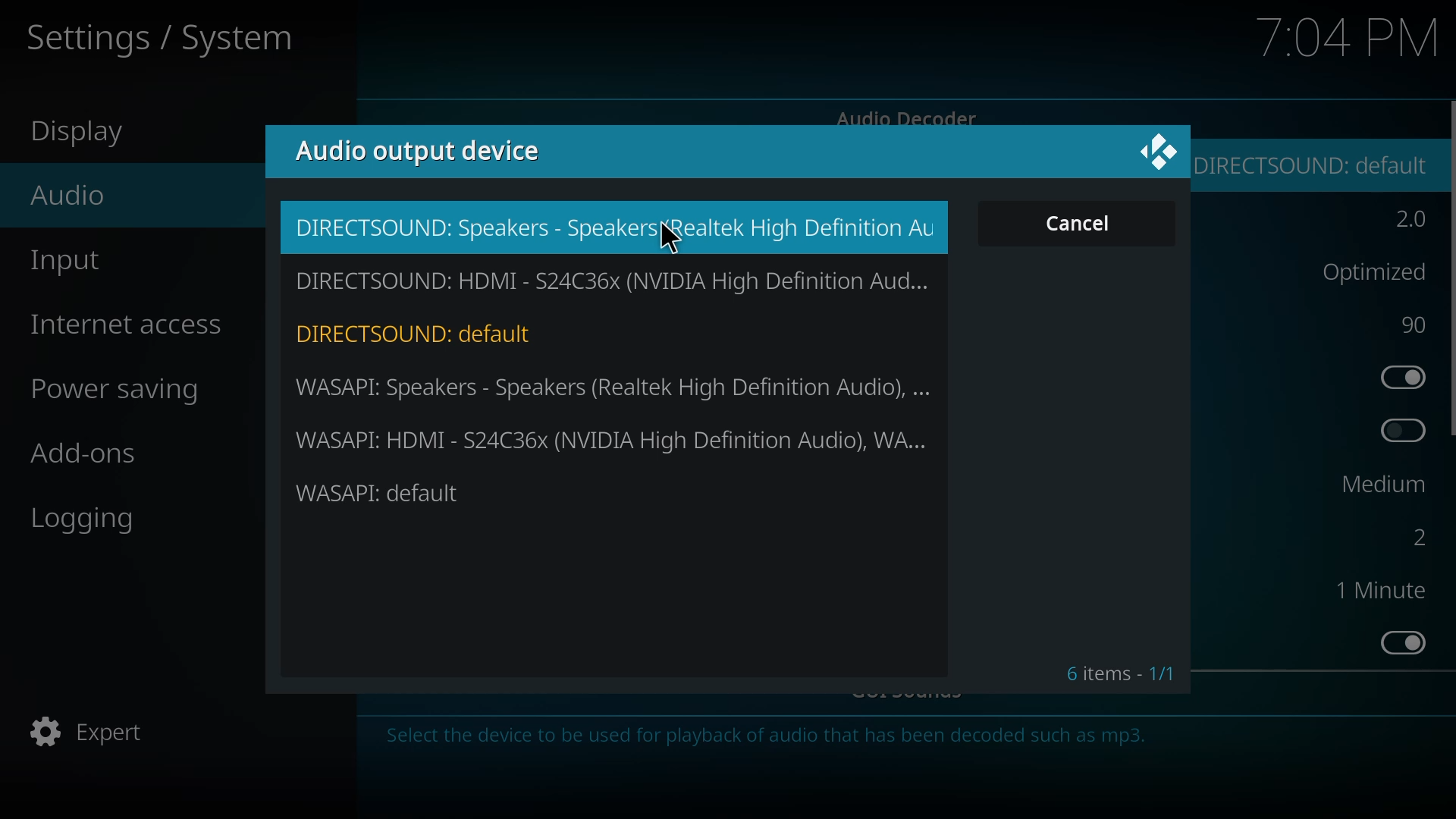  I want to click on default, so click(381, 492).